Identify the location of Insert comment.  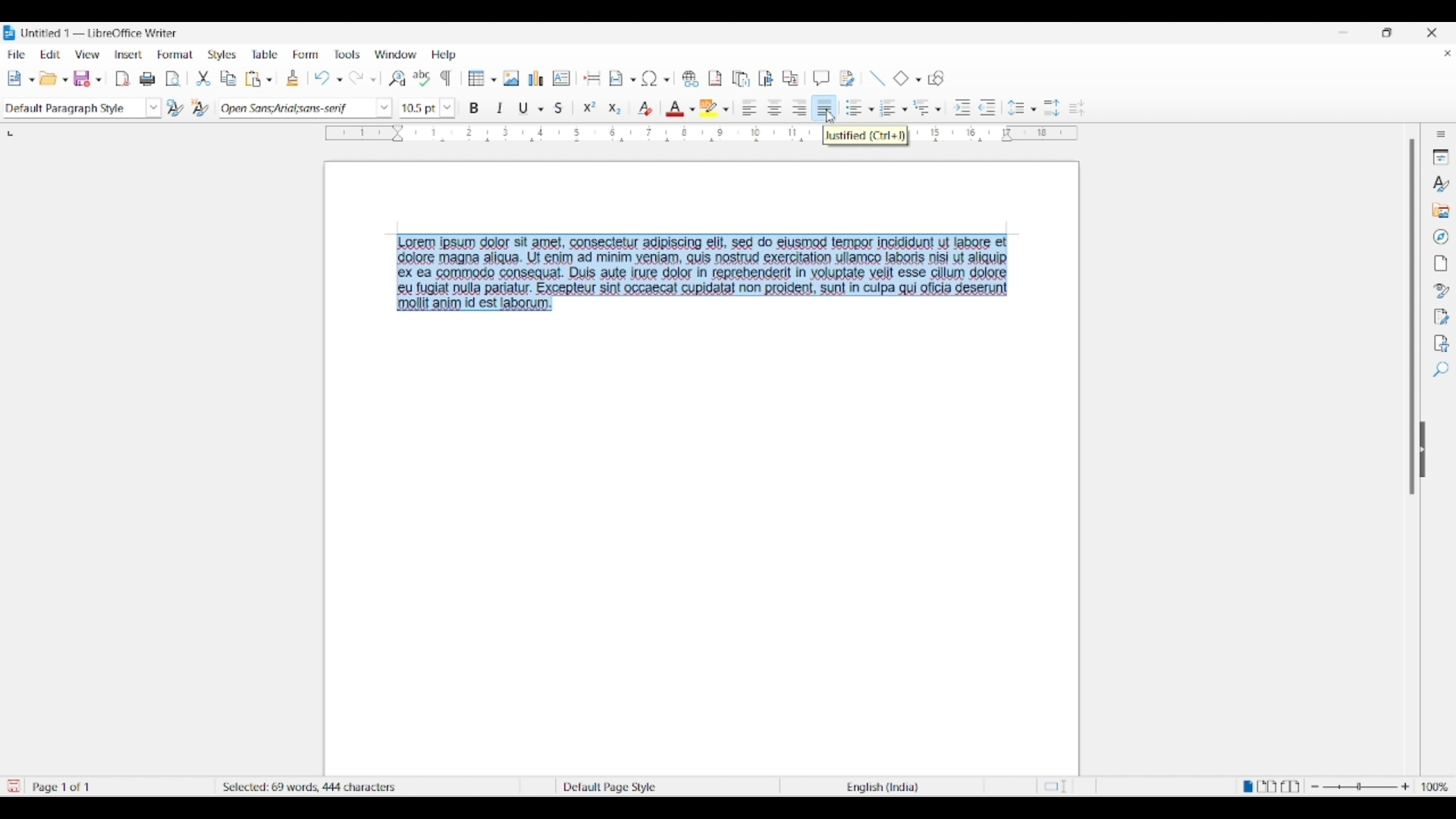
(821, 78).